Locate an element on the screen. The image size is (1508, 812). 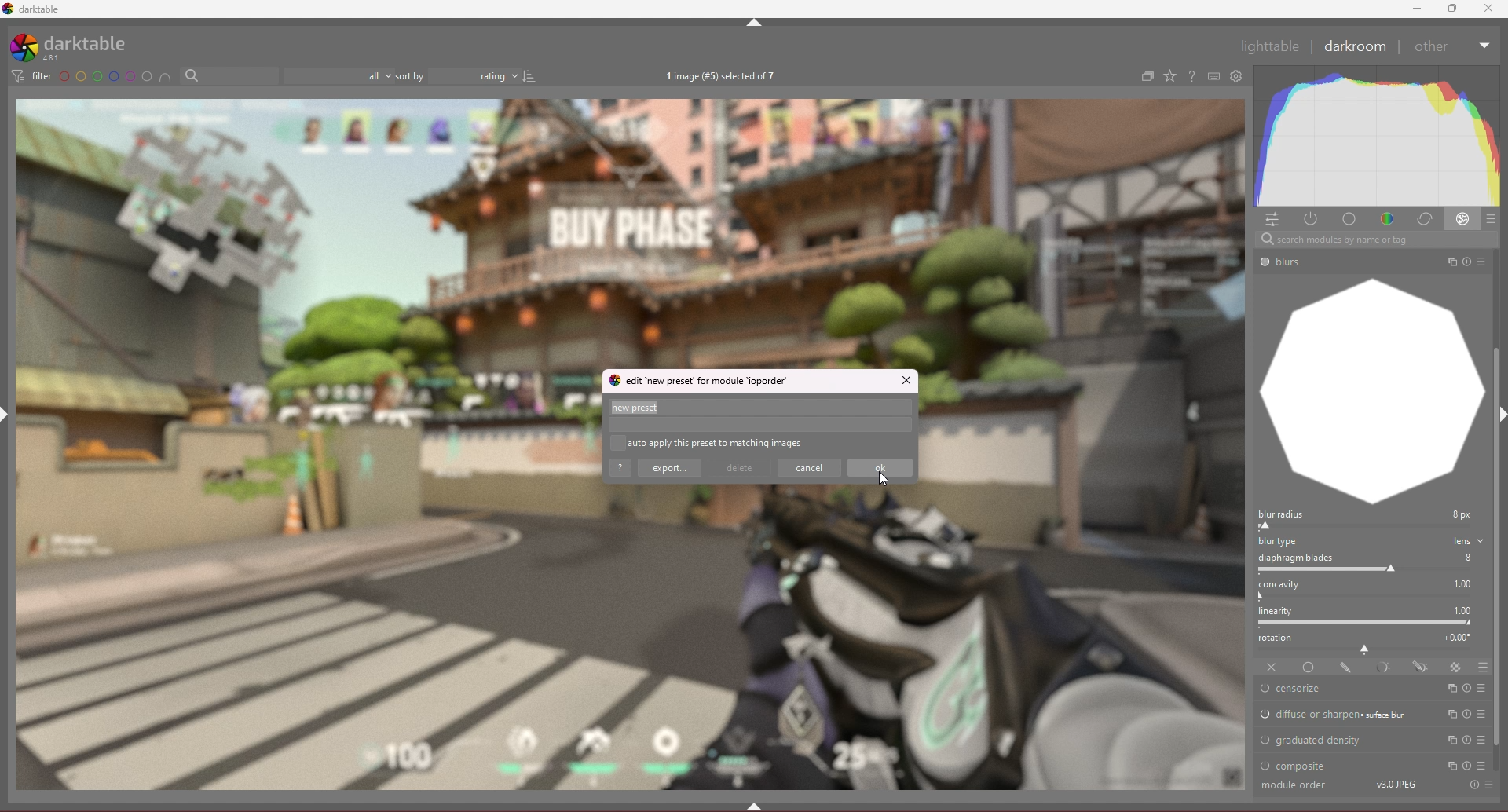
delete is located at coordinates (743, 468).